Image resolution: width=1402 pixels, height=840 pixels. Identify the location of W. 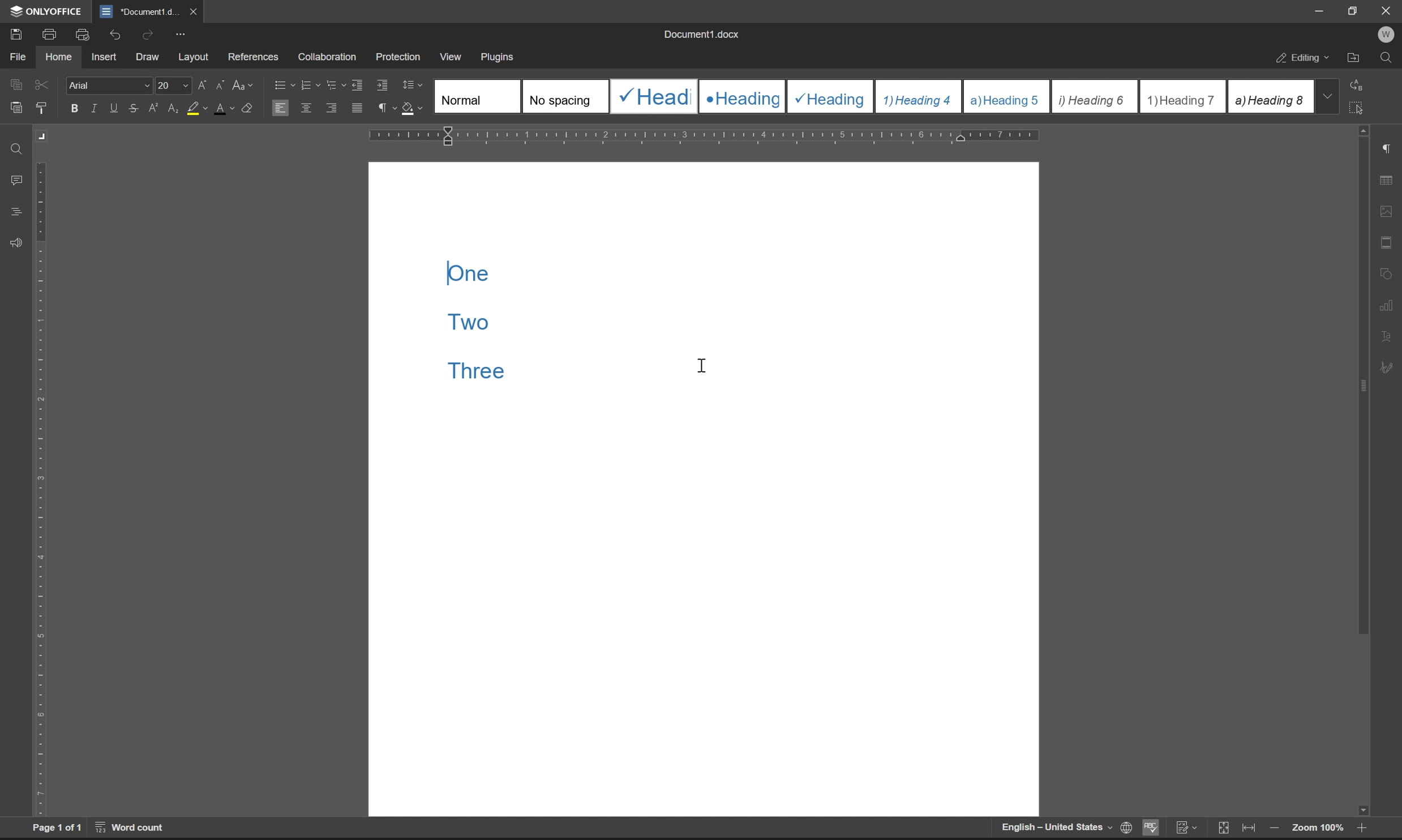
(1388, 35).